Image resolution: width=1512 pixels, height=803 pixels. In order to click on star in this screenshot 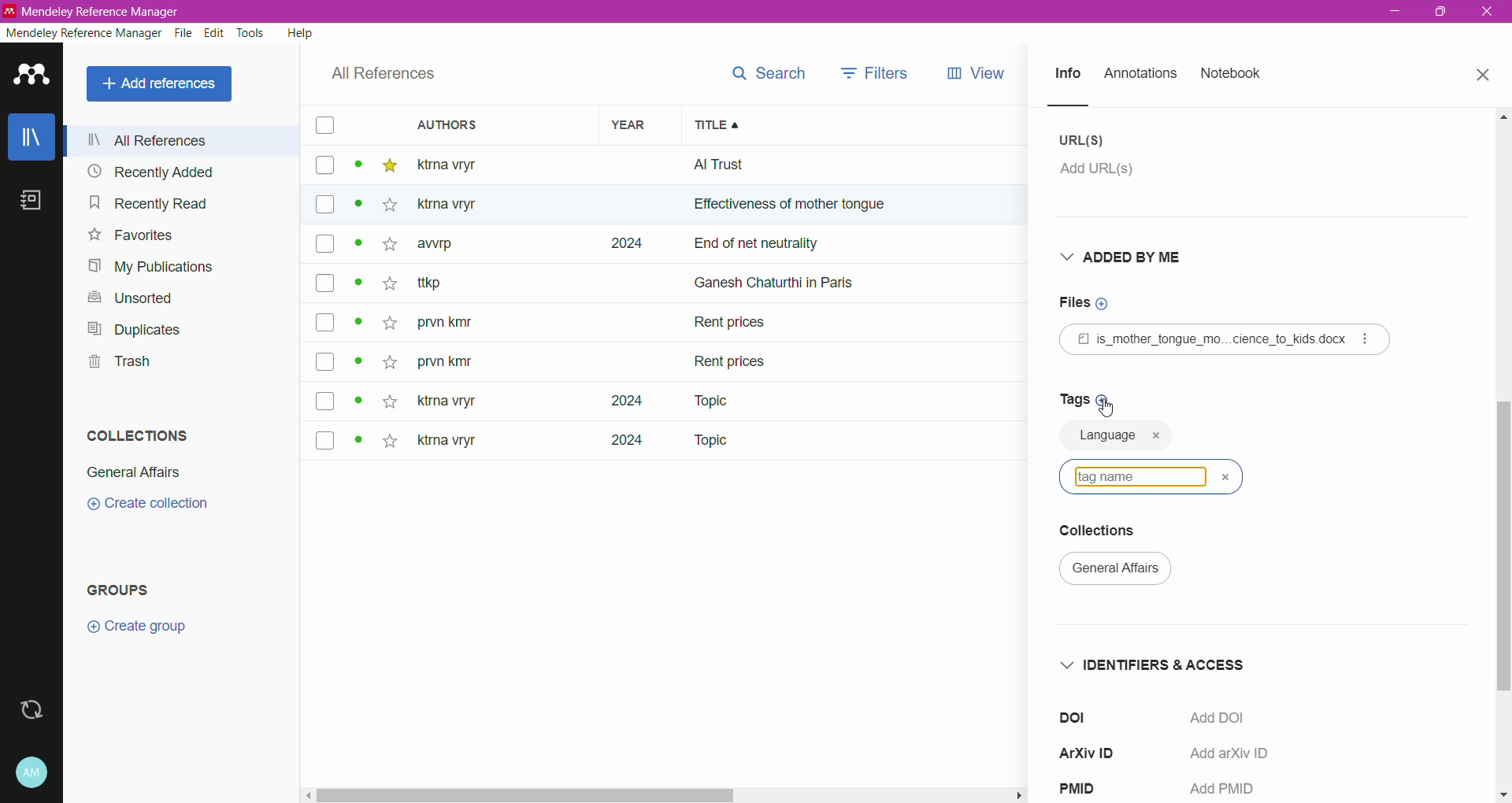, I will do `click(388, 358)`.